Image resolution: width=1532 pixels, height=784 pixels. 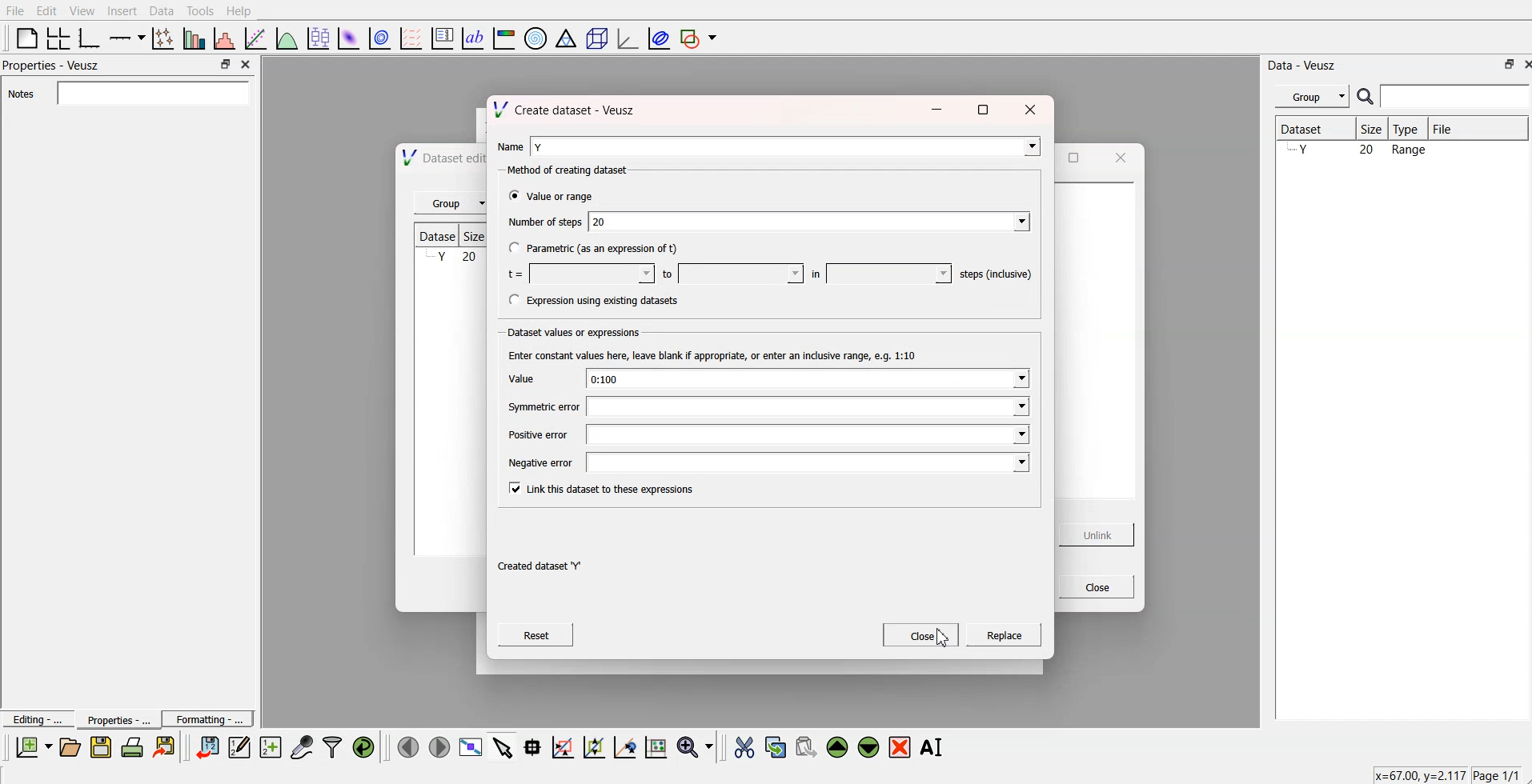 What do you see at coordinates (1094, 535) in the screenshot?
I see `Unlink` at bounding box center [1094, 535].